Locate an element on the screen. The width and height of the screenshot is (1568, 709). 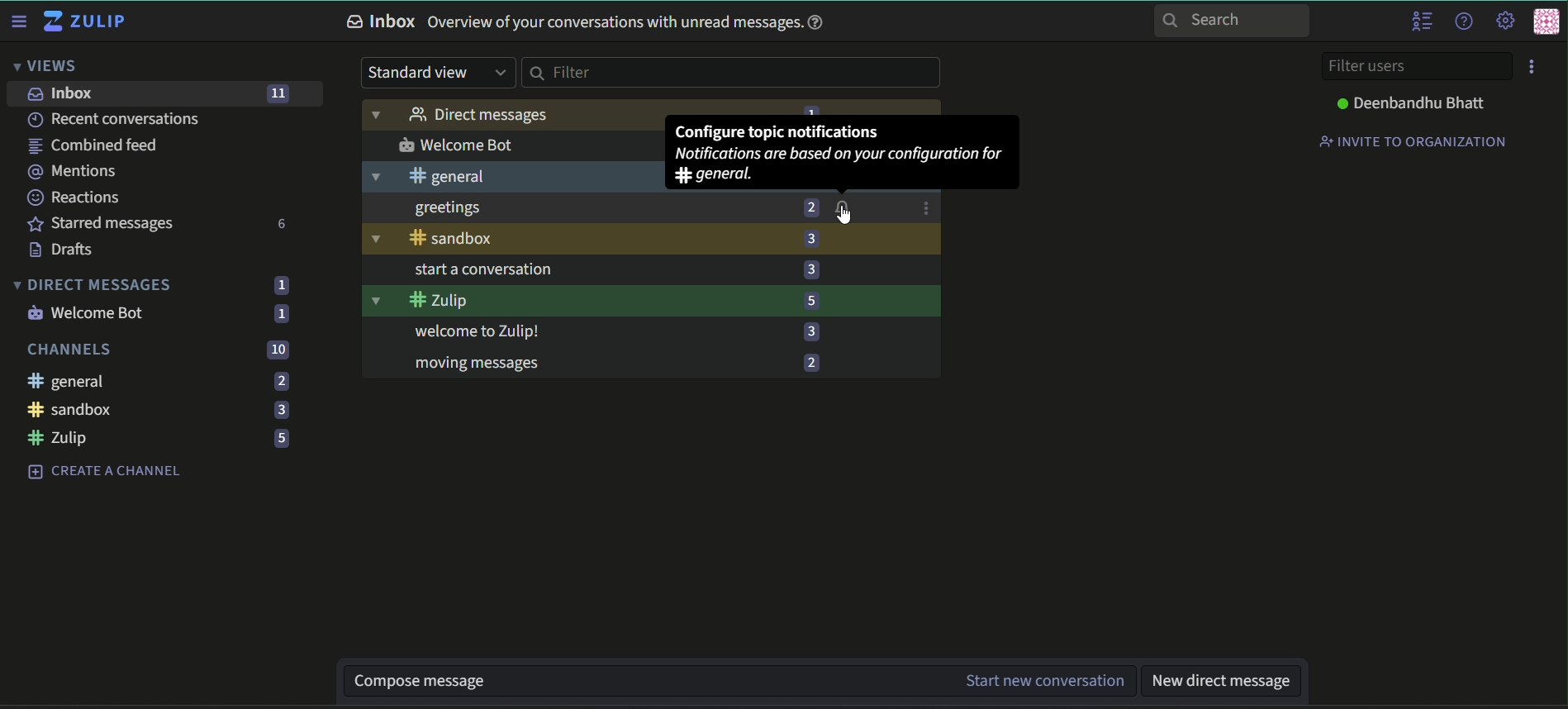
Numbers is located at coordinates (278, 409).